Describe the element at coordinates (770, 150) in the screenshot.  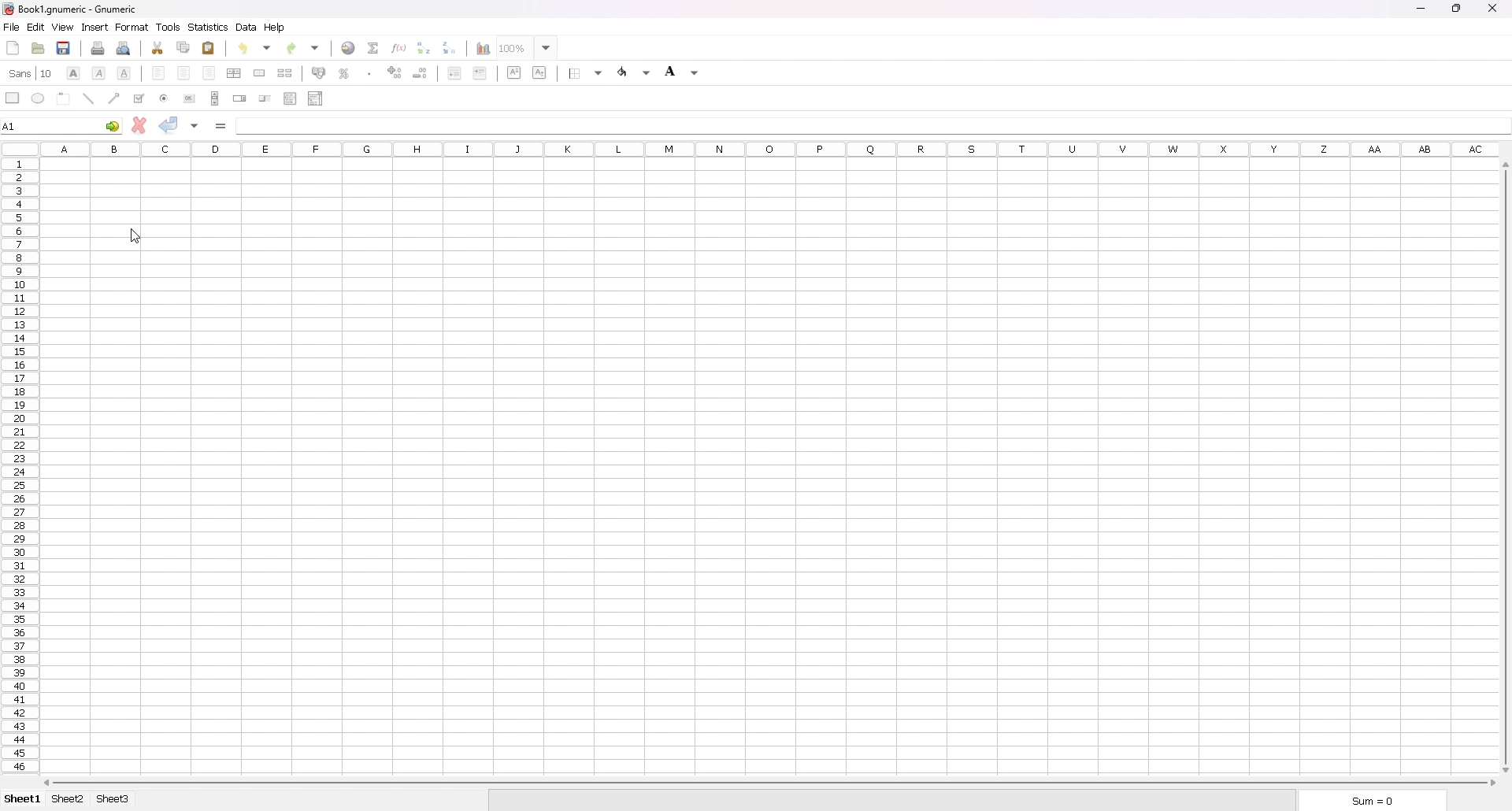
I see `column` at that location.